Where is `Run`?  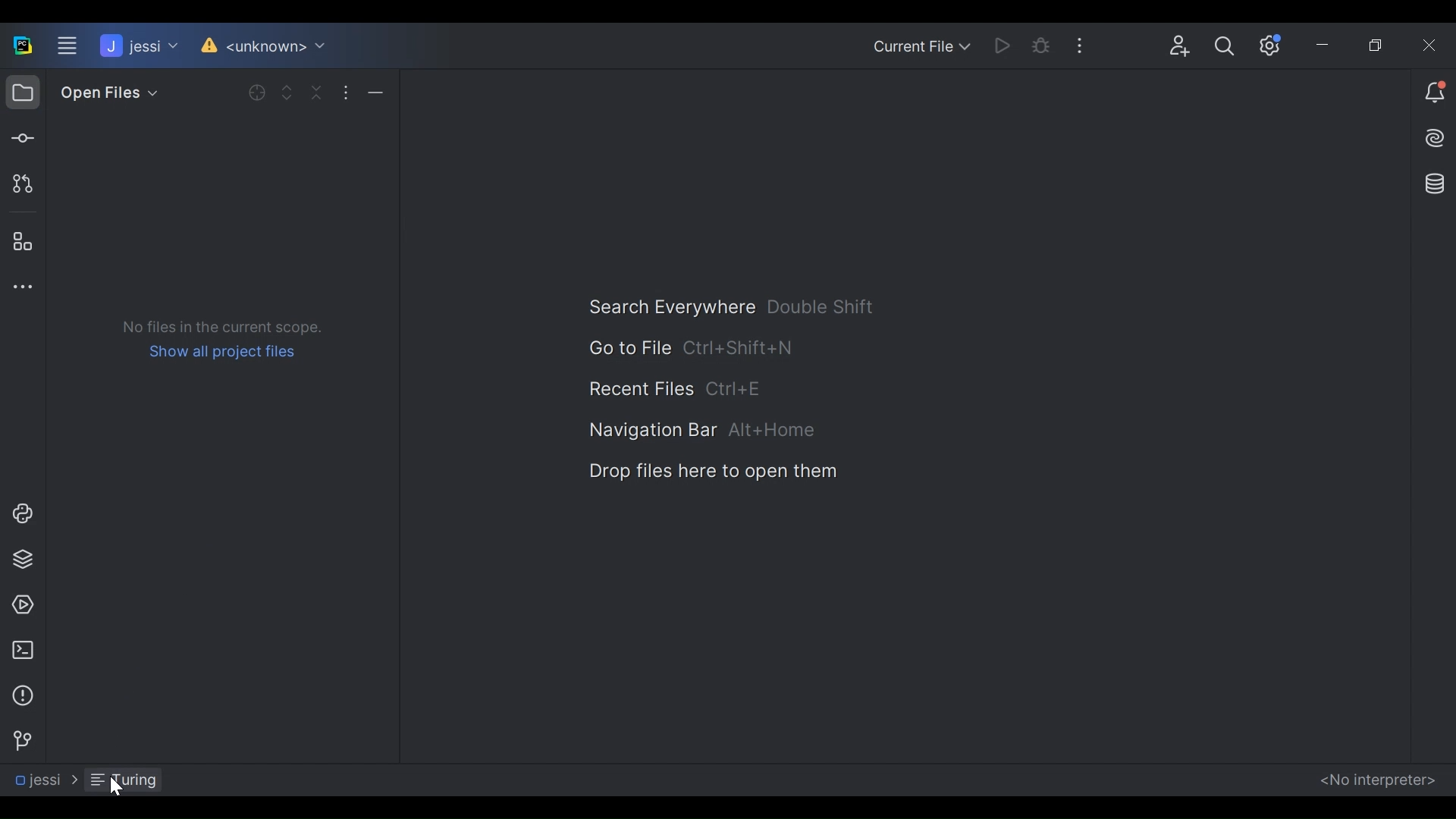
Run is located at coordinates (1003, 44).